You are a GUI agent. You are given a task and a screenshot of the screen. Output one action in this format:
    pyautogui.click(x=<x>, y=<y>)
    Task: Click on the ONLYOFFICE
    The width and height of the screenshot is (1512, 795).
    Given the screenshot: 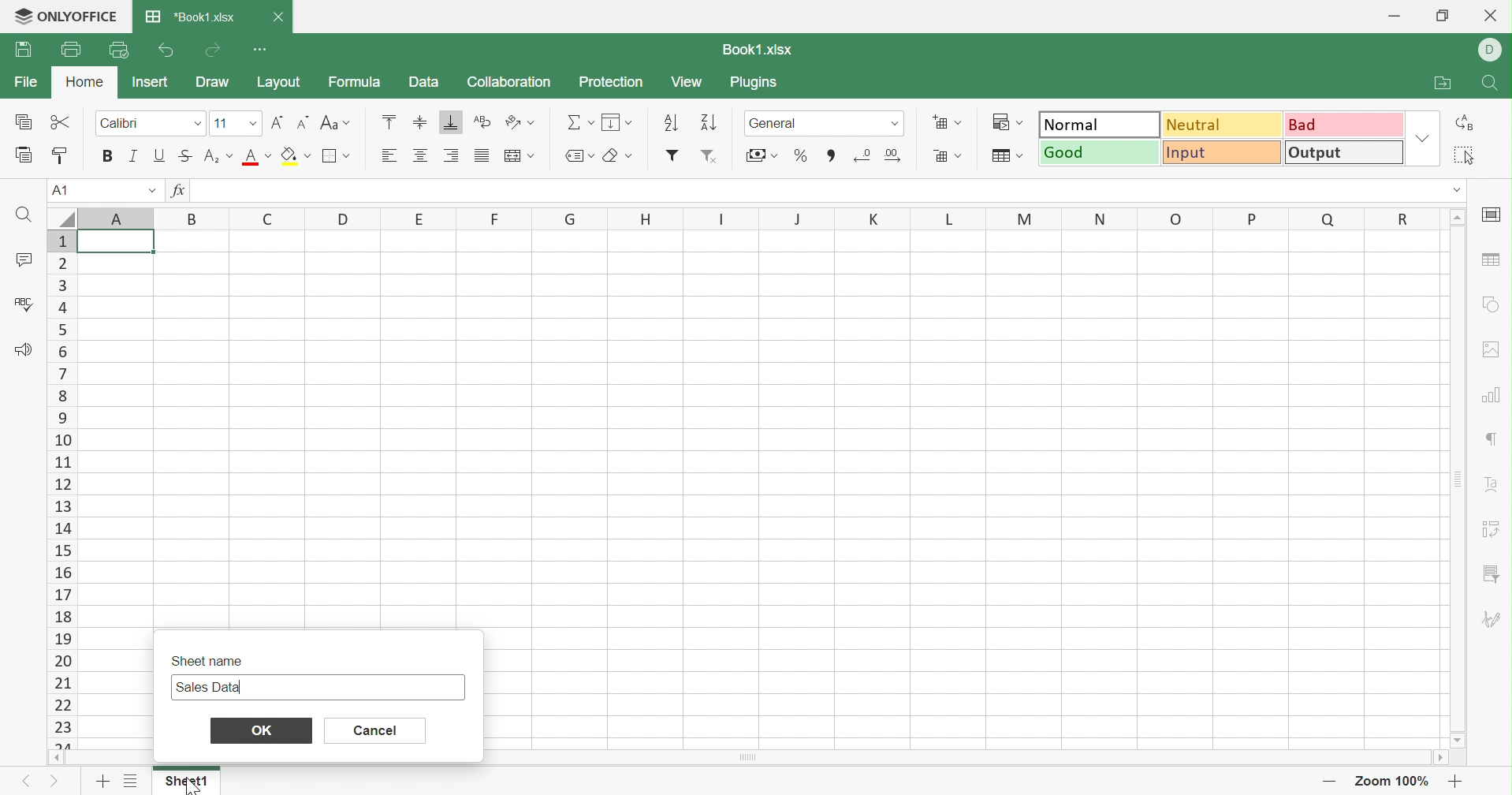 What is the action you would take?
    pyautogui.click(x=67, y=16)
    